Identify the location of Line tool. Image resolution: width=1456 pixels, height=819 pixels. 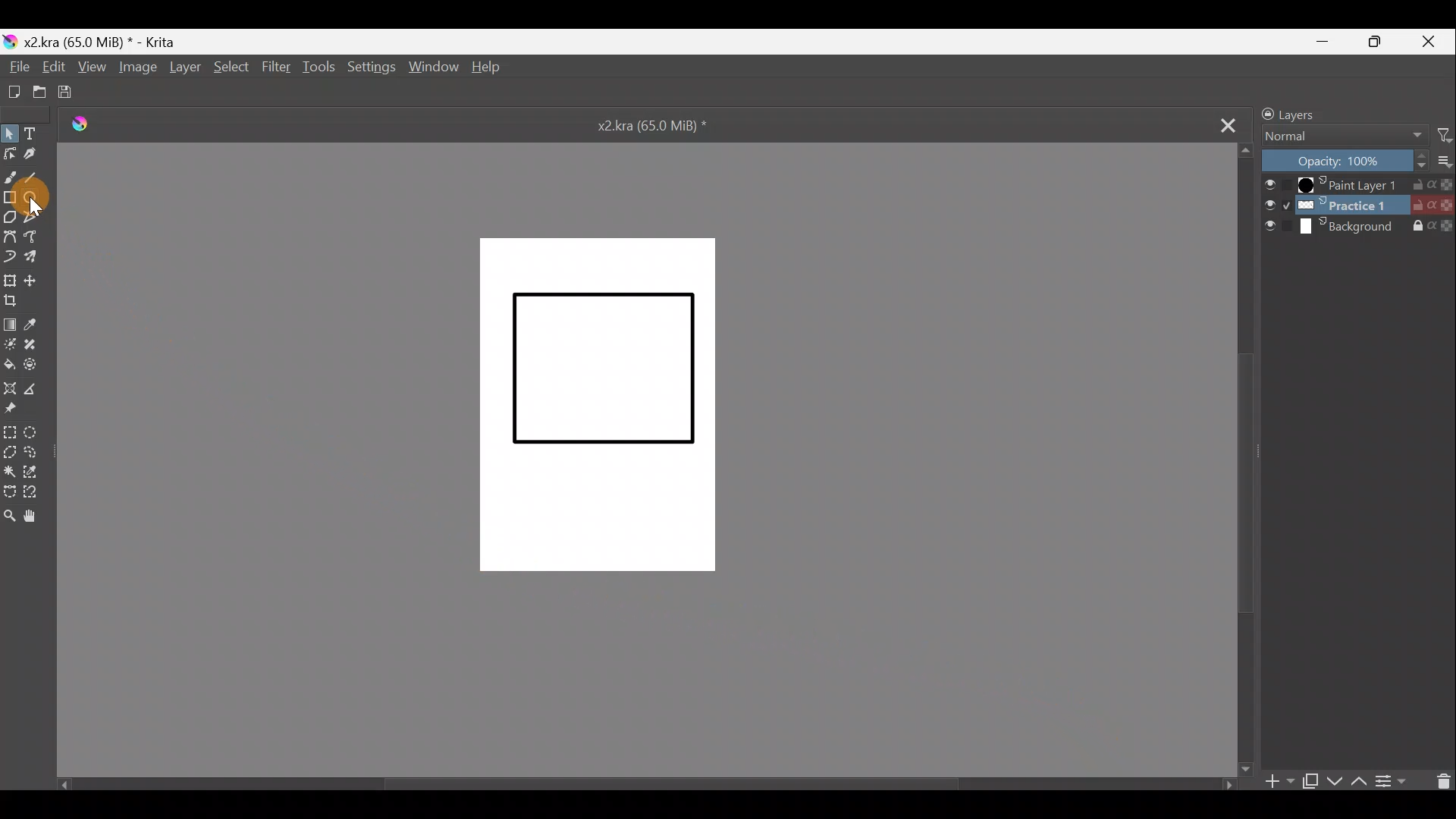
(37, 175).